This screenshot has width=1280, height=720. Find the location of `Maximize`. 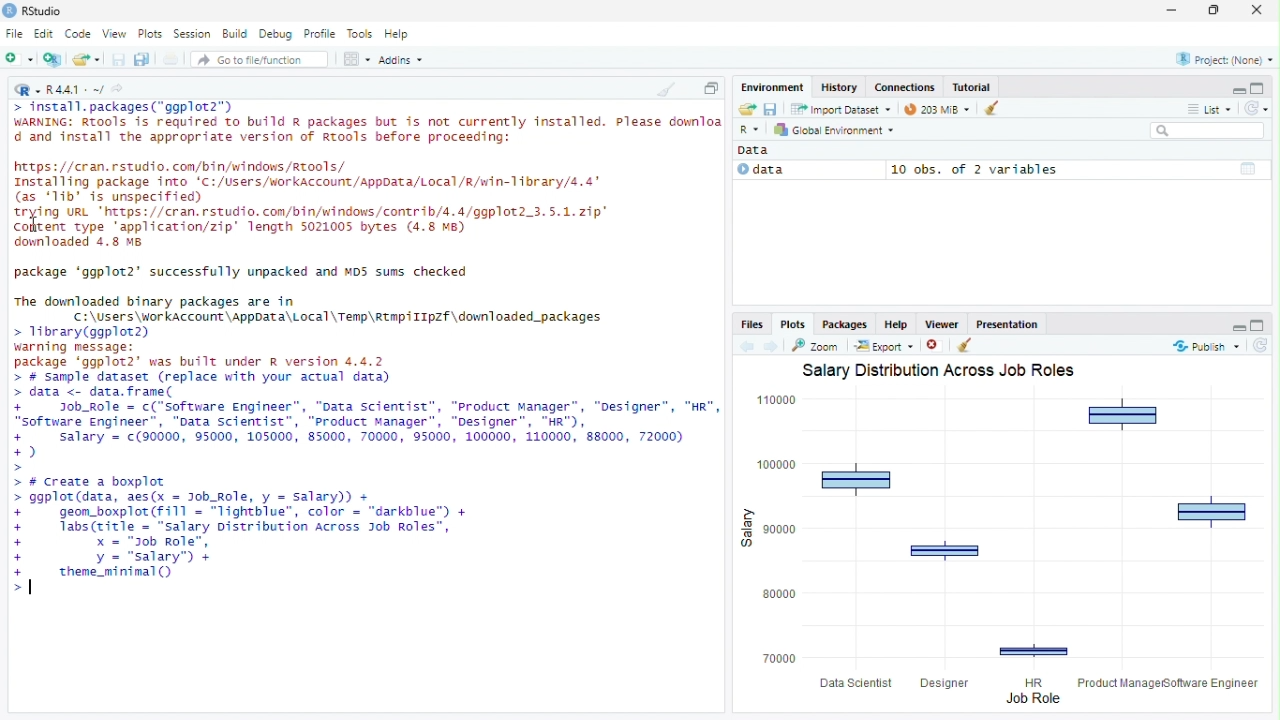

Maximize is located at coordinates (711, 88).